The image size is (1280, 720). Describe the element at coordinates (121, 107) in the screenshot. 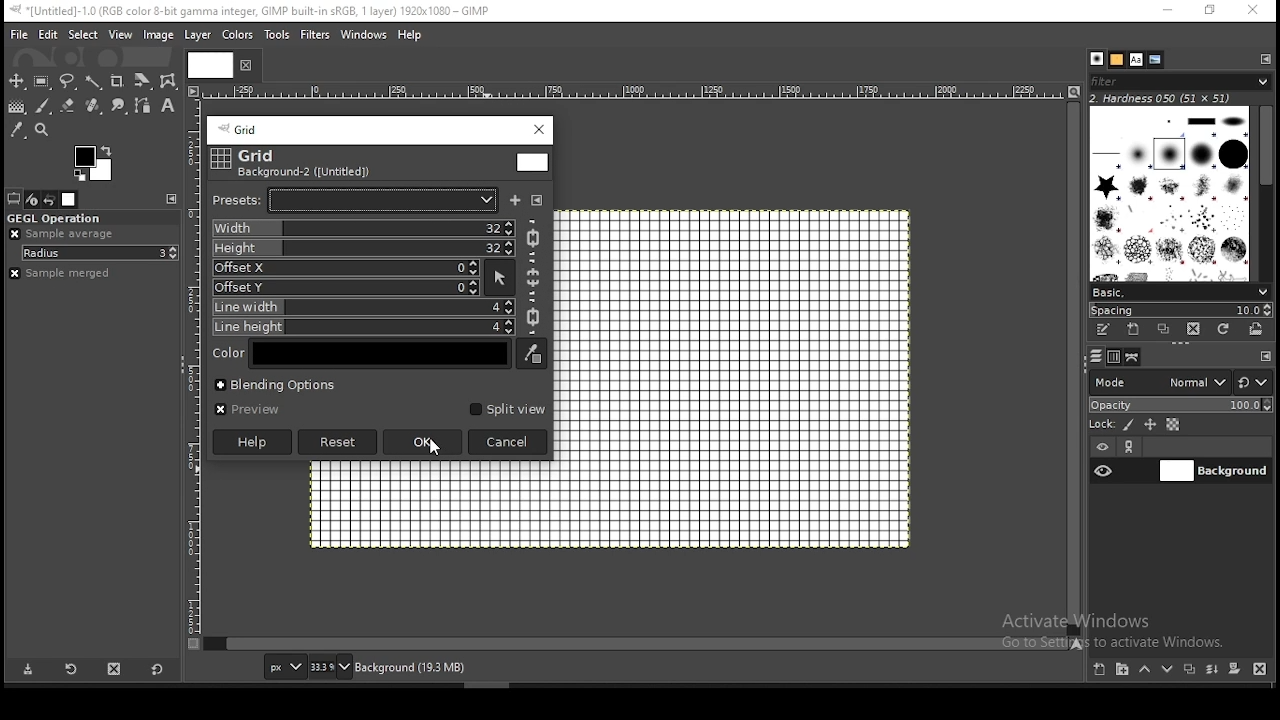

I see `smudge tool` at that location.